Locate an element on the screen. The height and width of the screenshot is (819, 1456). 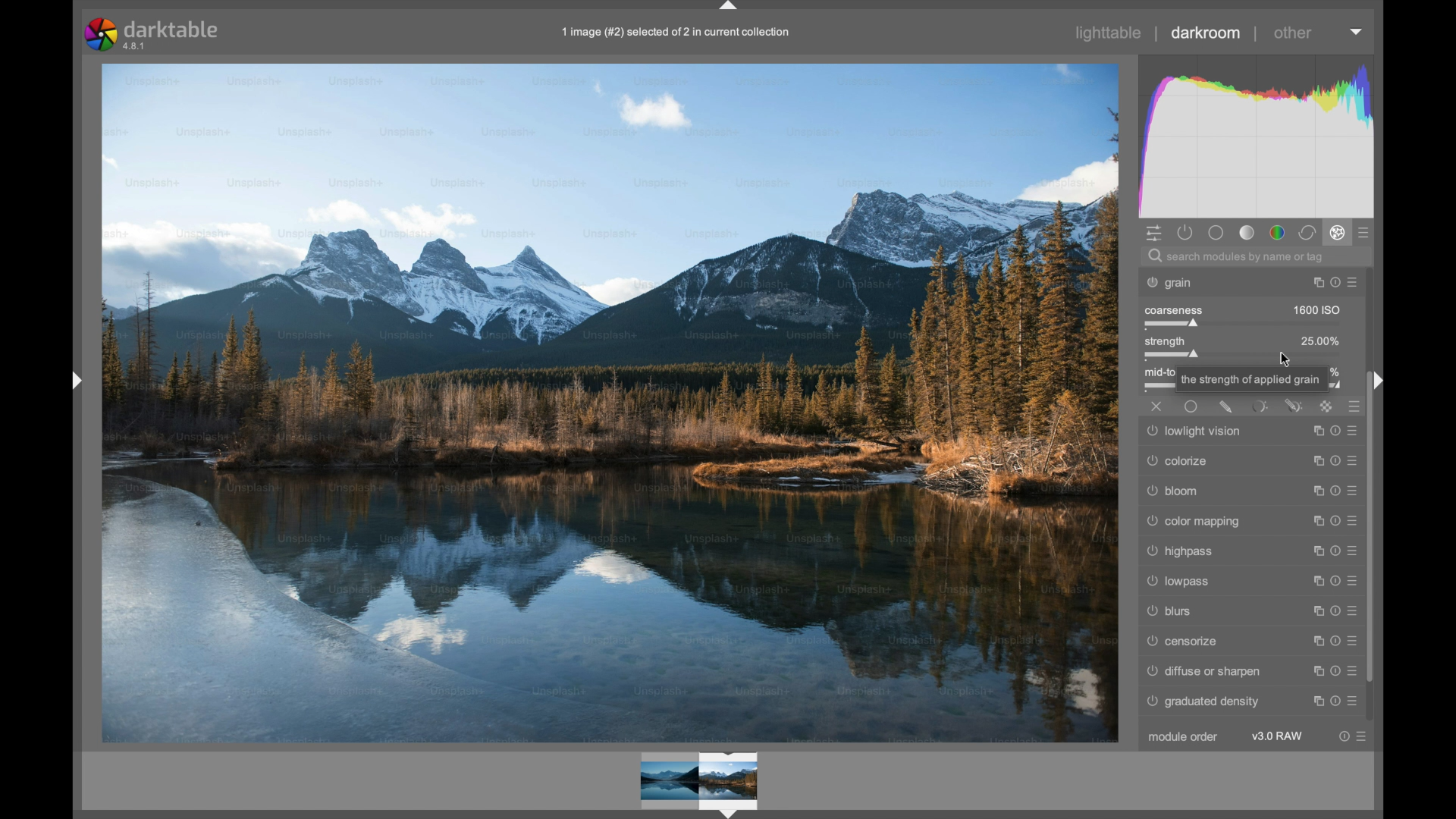
diffuse or sharpen is located at coordinates (1200, 673).